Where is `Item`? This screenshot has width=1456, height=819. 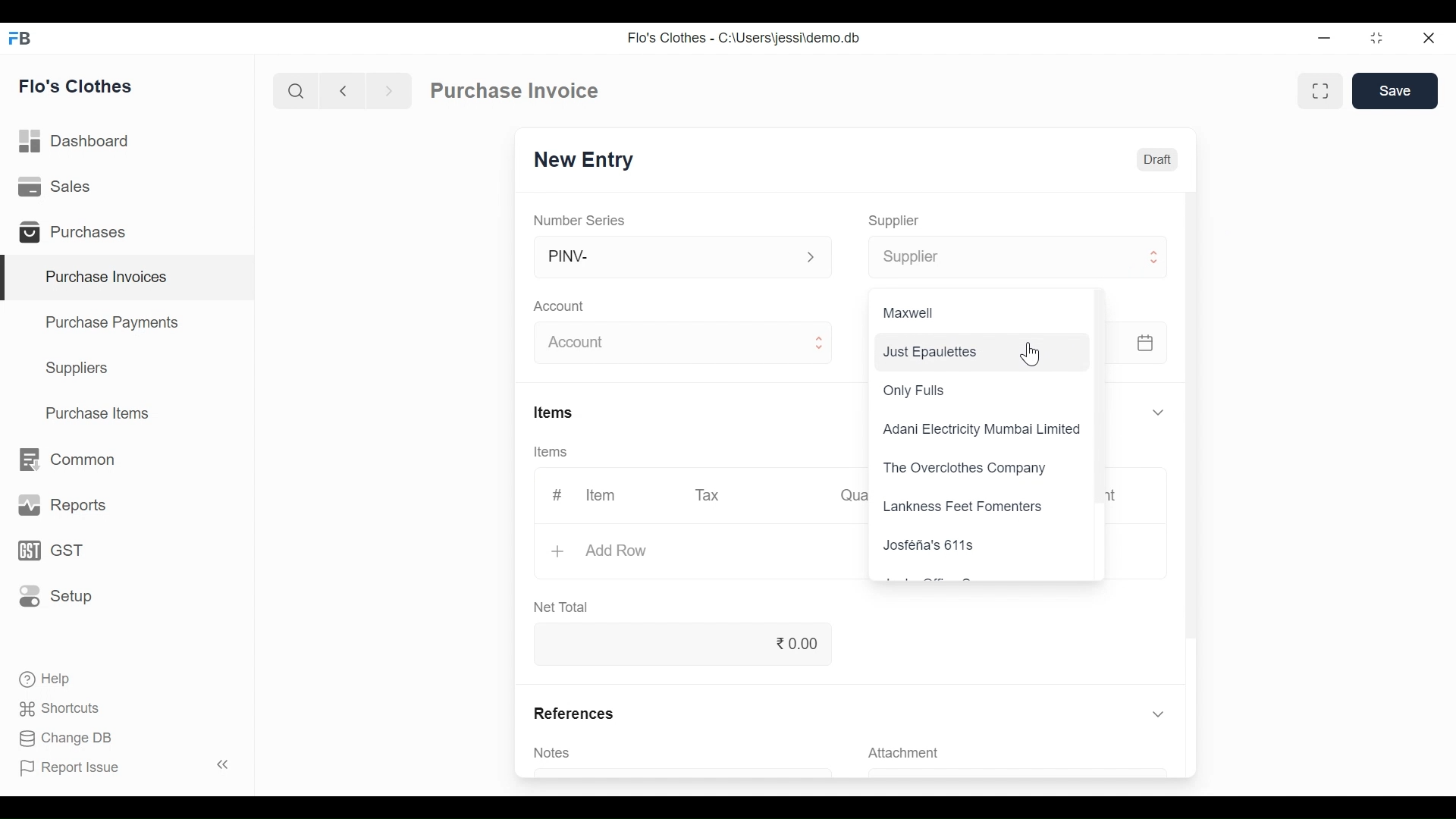 Item is located at coordinates (601, 494).